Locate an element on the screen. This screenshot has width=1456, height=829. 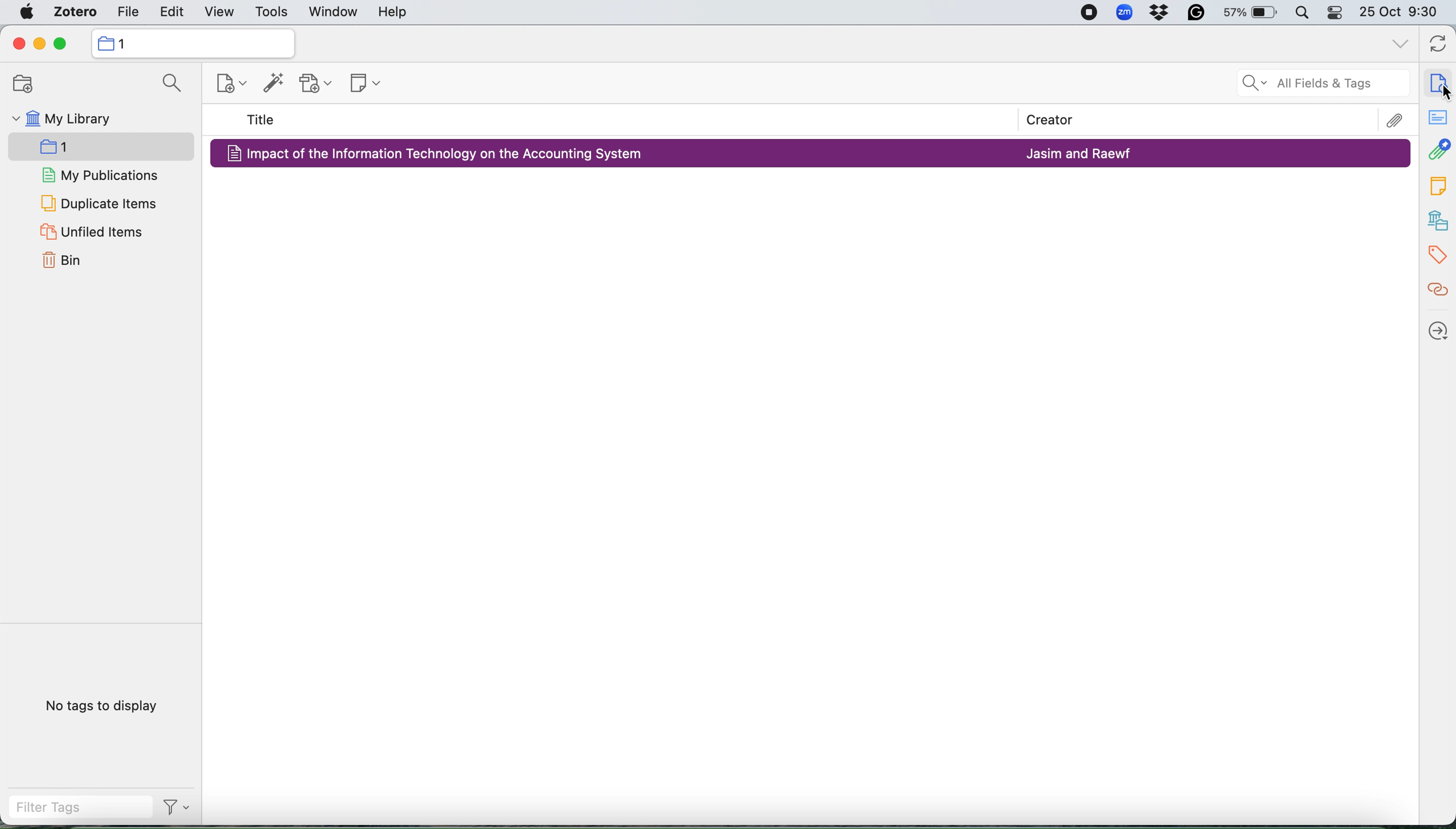
duplicate items is located at coordinates (97, 202).